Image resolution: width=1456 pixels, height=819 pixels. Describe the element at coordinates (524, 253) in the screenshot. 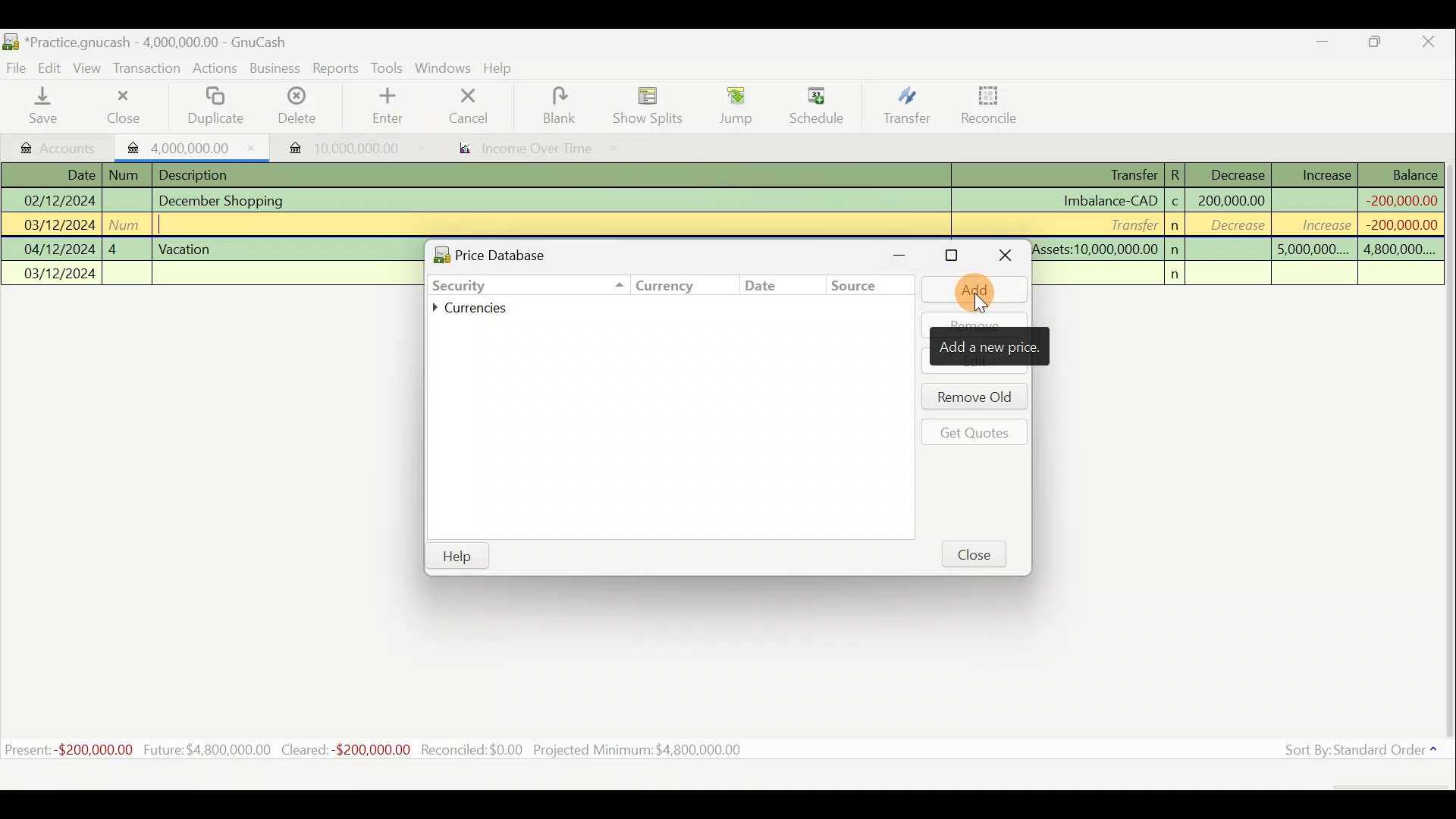

I see `Price database` at that location.